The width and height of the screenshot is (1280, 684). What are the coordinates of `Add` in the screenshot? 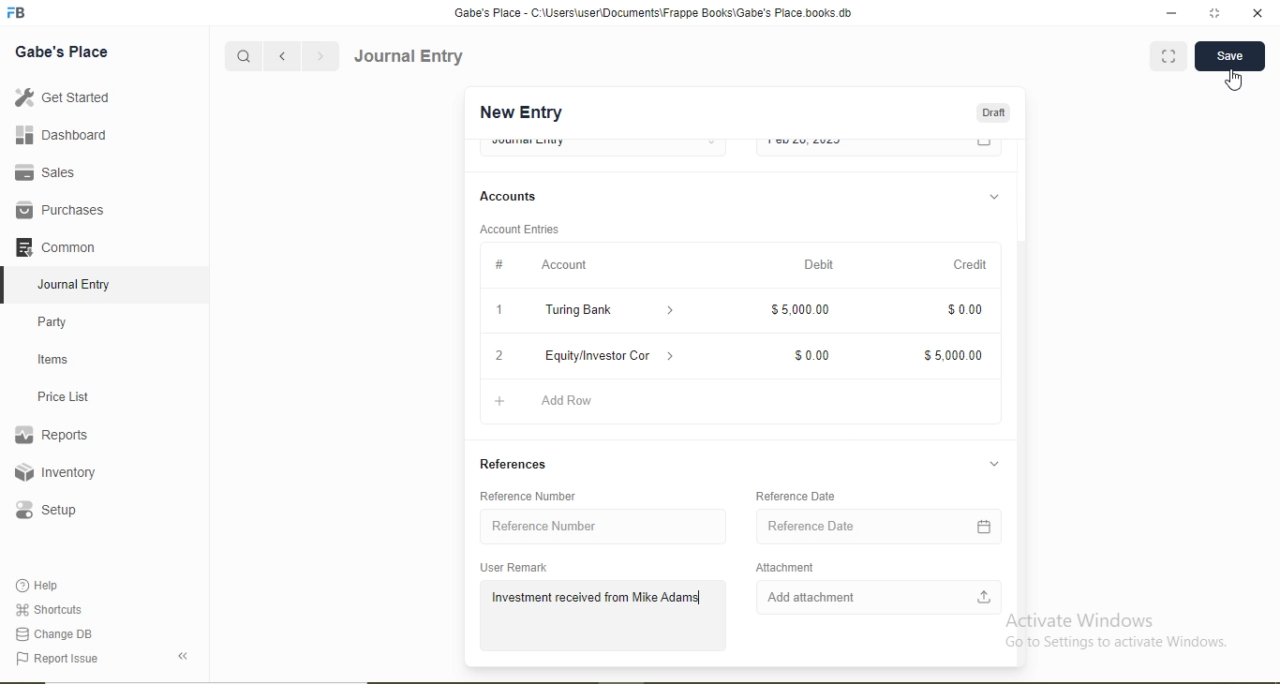 It's located at (500, 401).